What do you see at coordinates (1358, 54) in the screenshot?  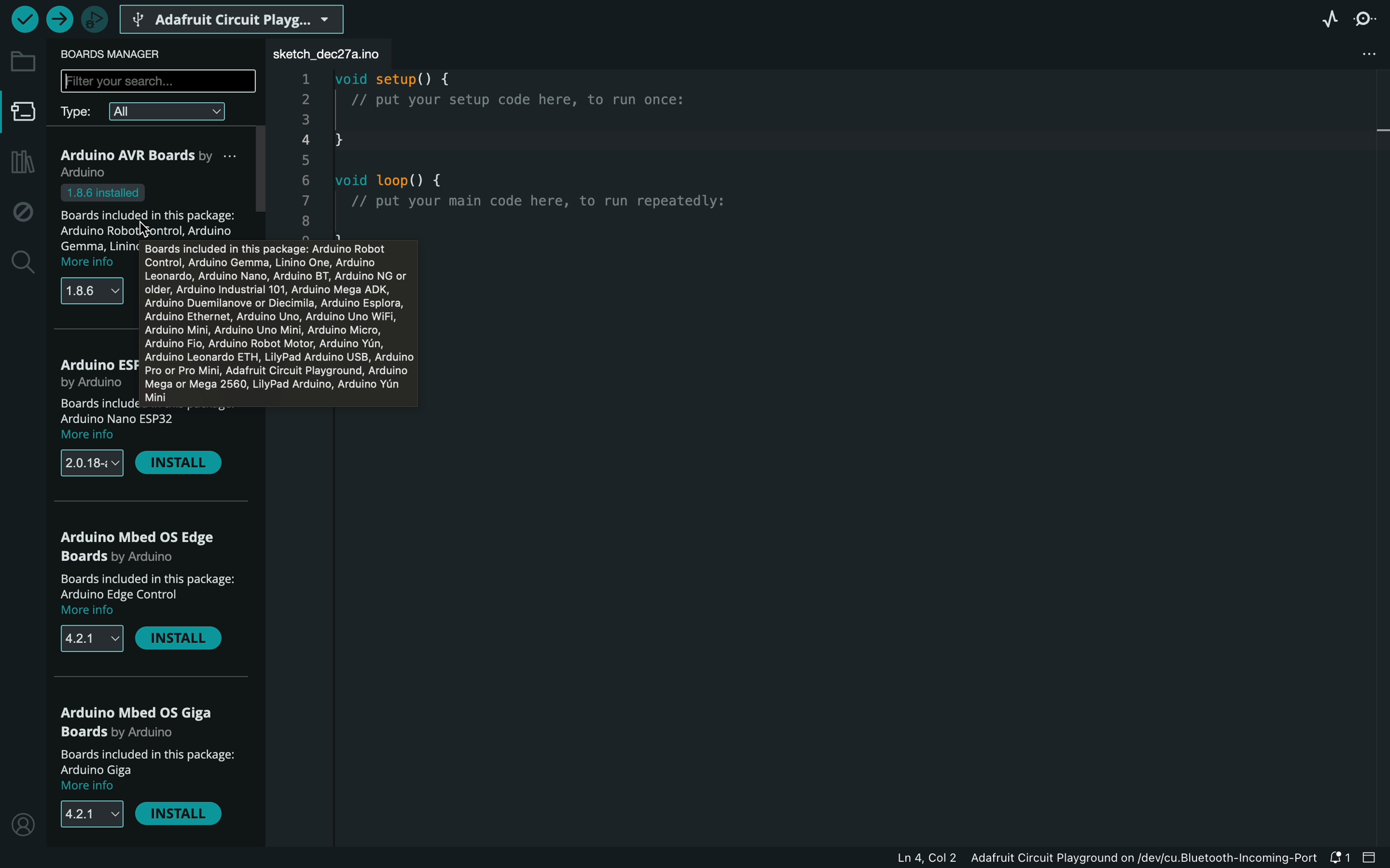 I see `file setting` at bounding box center [1358, 54].